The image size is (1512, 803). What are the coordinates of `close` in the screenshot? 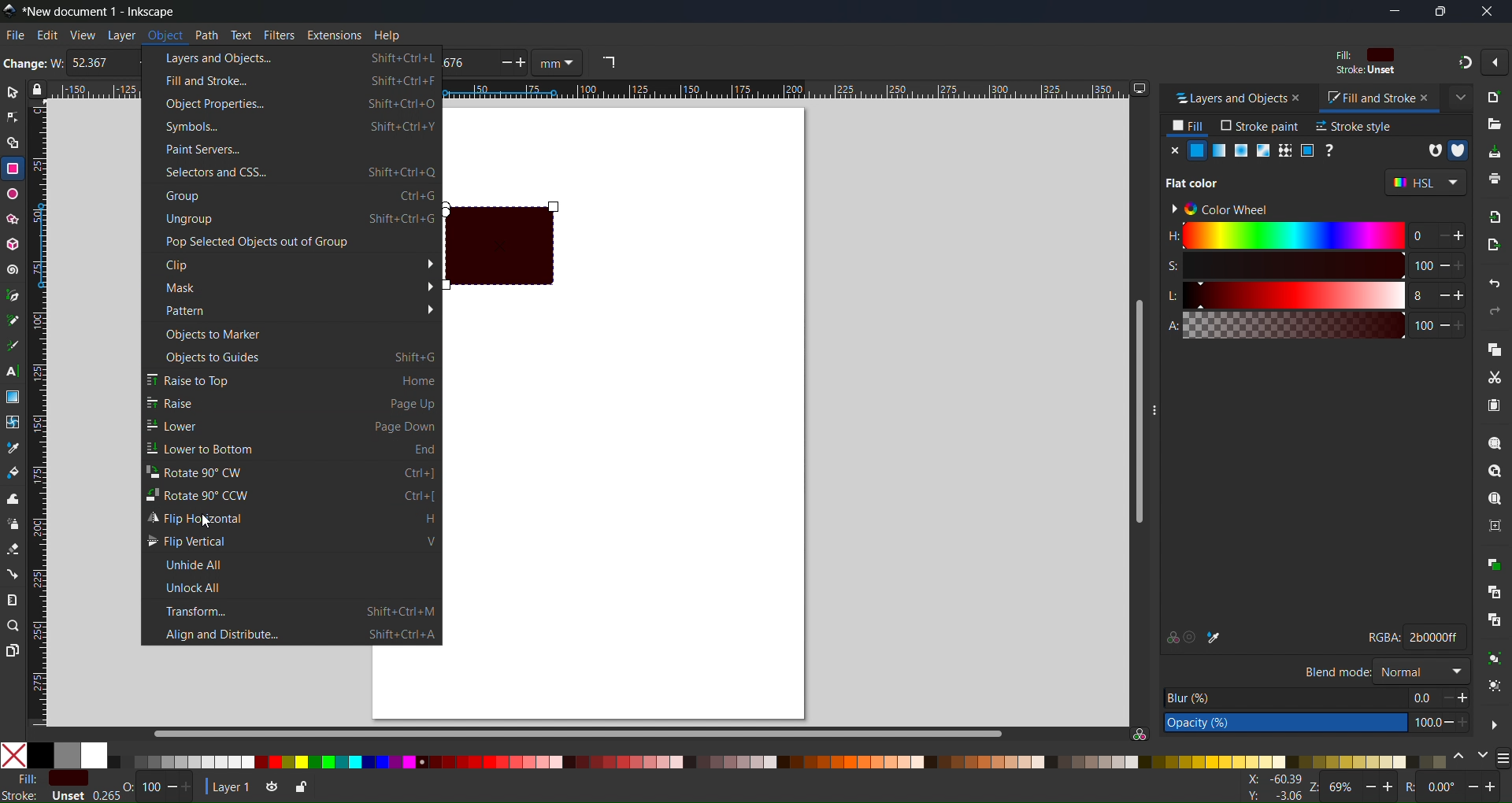 It's located at (1299, 98).